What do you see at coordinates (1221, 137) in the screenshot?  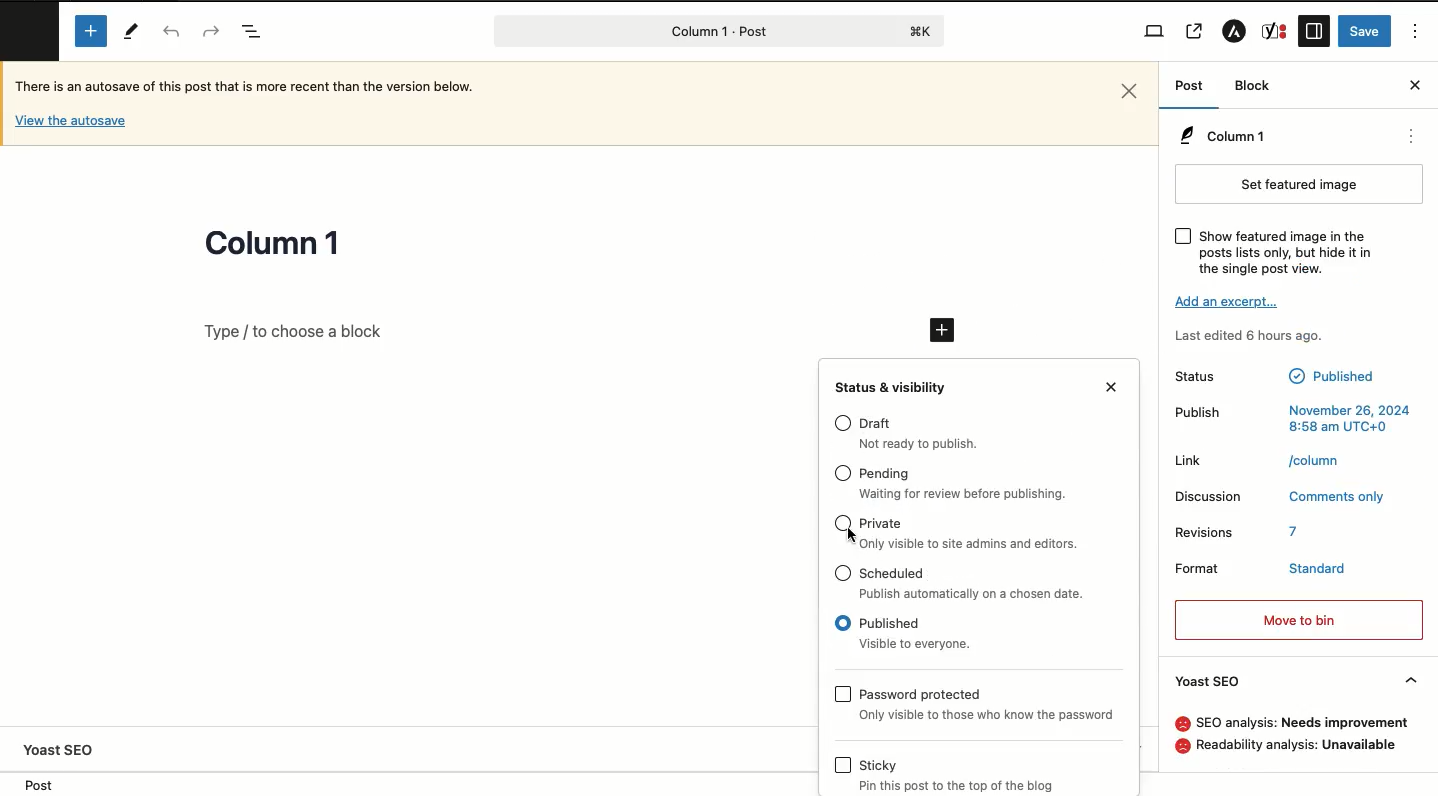 I see `Column` at bounding box center [1221, 137].